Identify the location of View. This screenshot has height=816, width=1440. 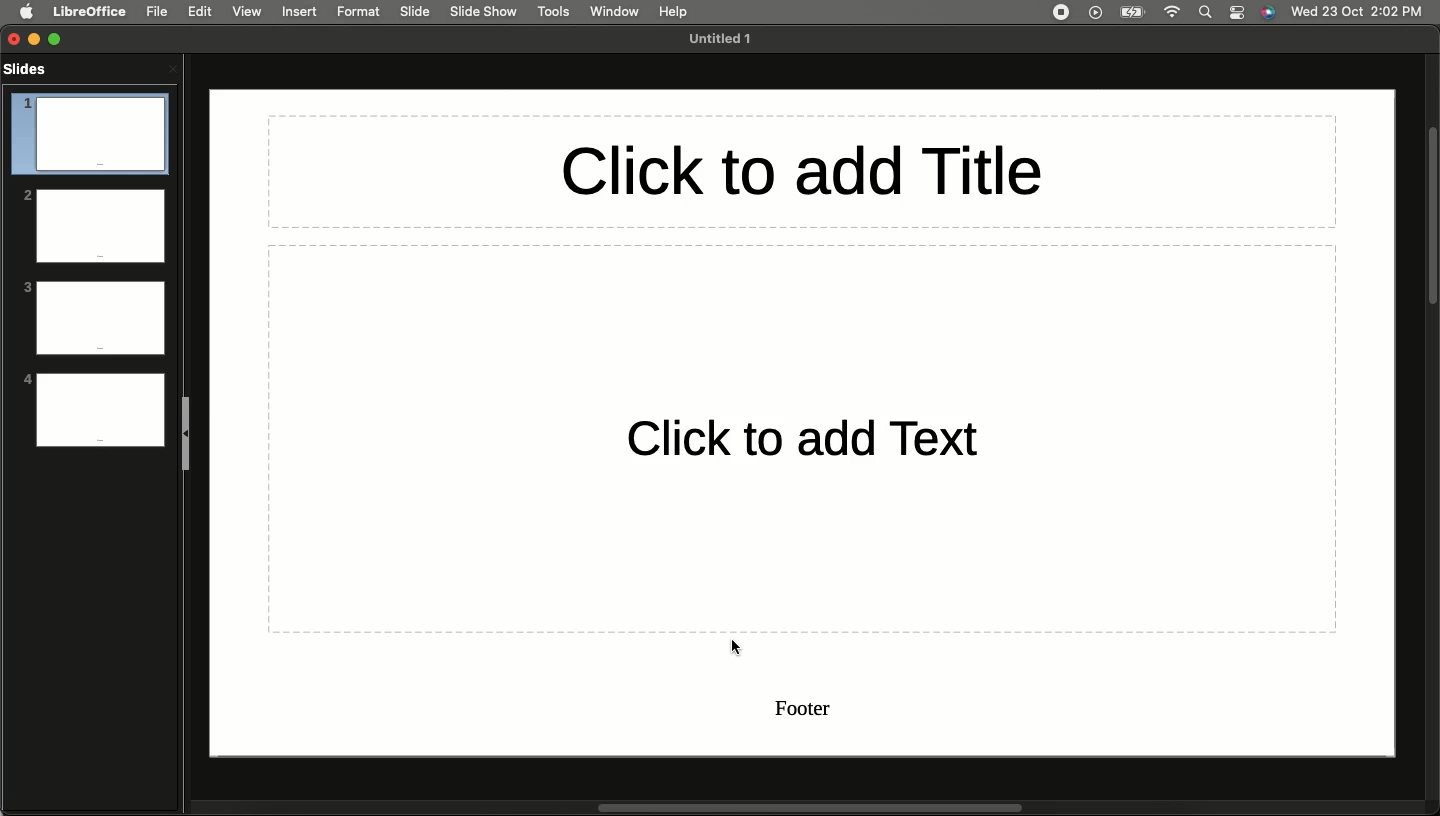
(246, 11).